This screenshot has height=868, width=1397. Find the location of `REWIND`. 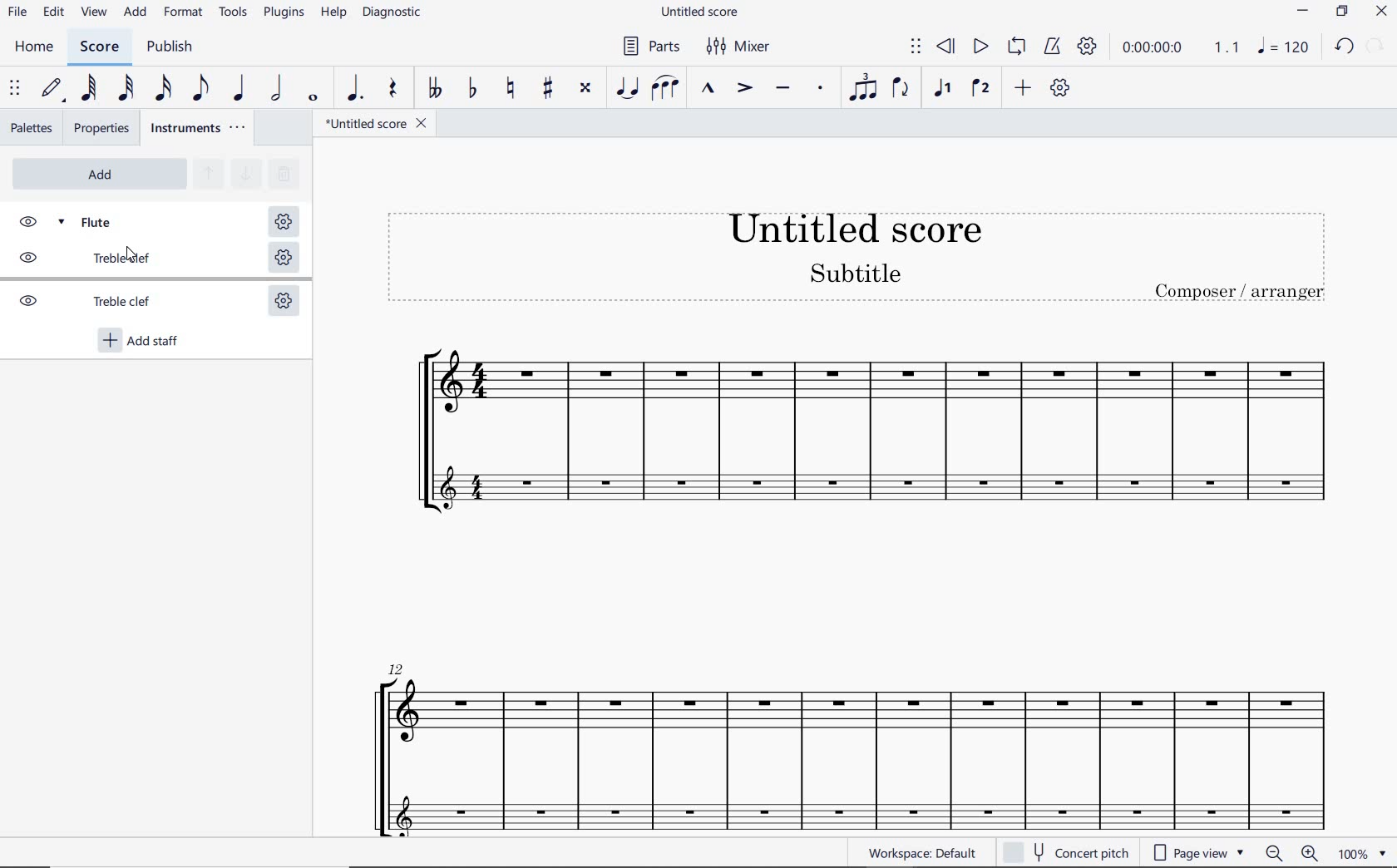

REWIND is located at coordinates (946, 47).